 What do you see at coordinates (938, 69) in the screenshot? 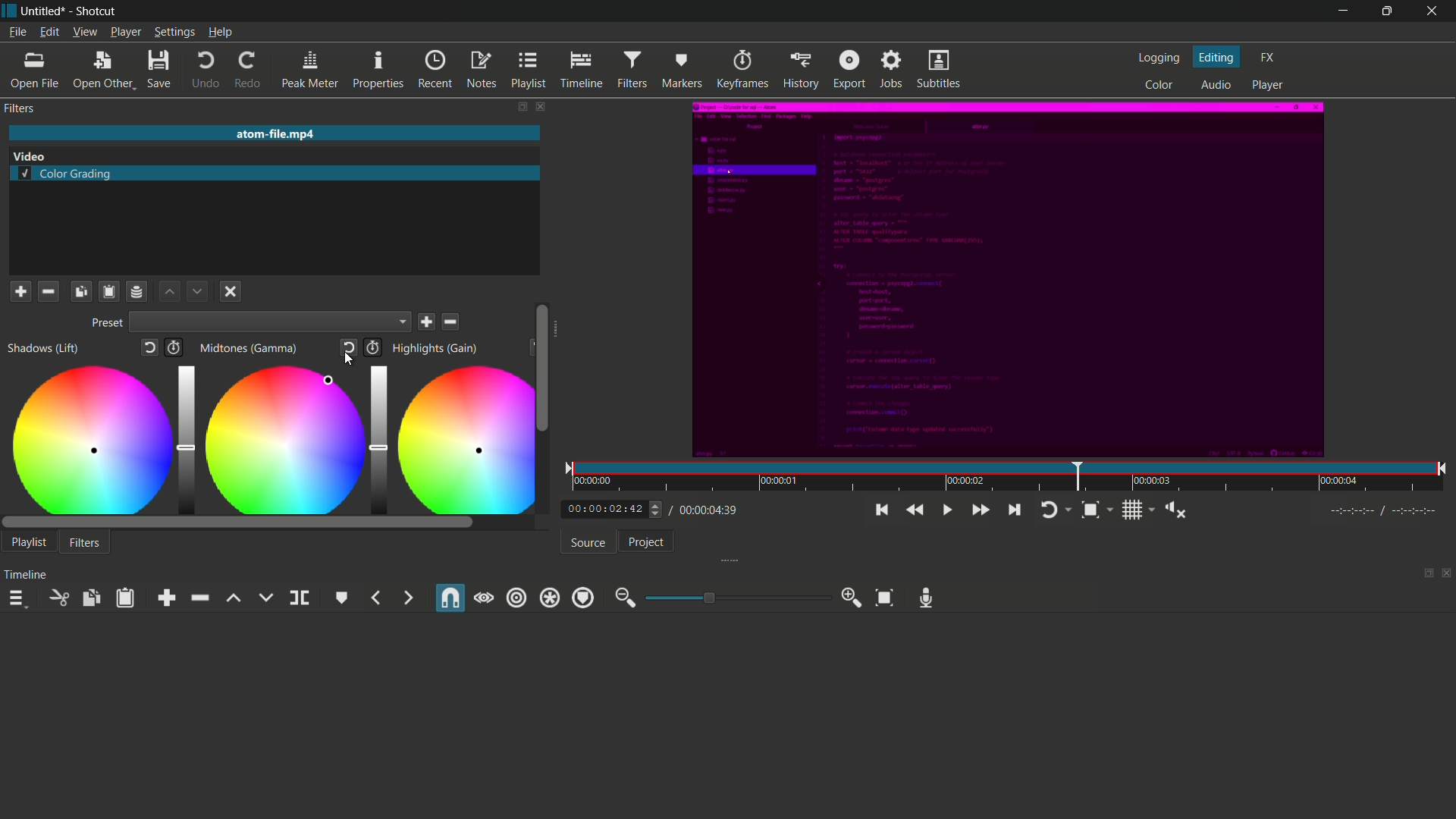
I see `subtitles` at bounding box center [938, 69].